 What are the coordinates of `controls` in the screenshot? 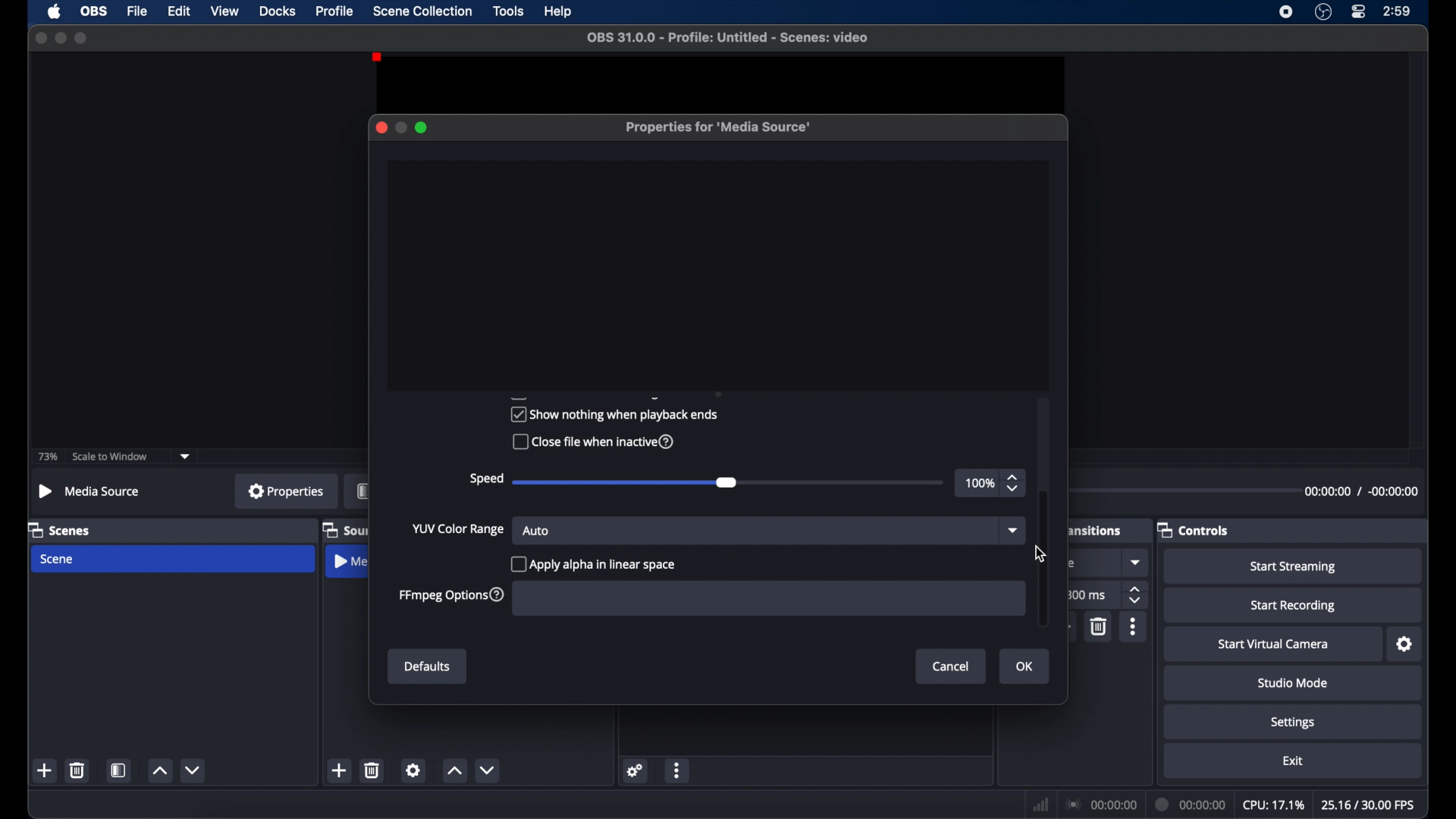 It's located at (1192, 529).